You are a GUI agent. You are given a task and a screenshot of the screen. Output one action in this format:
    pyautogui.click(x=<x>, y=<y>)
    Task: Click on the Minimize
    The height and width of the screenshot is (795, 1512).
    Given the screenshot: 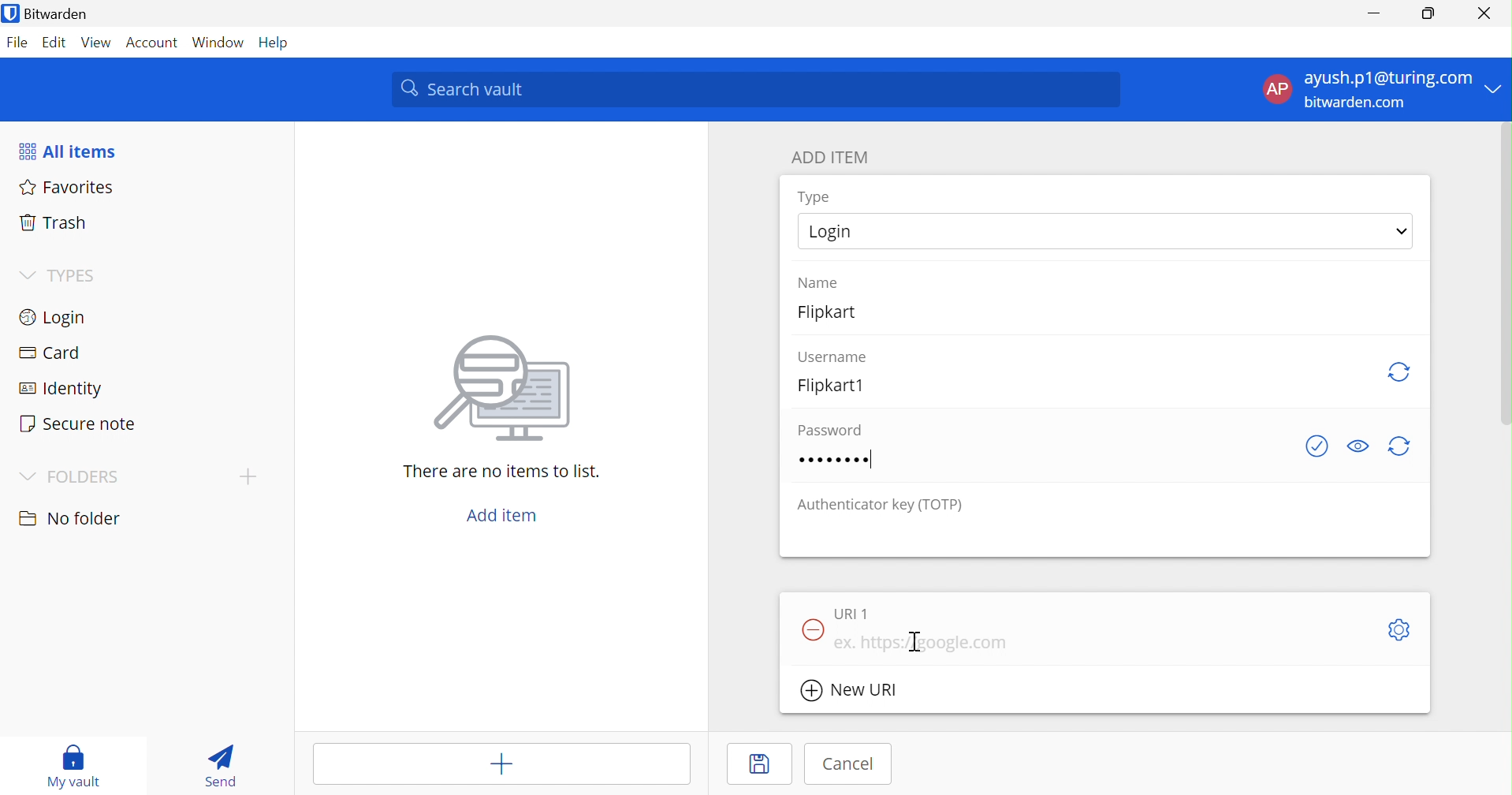 What is the action you would take?
    pyautogui.click(x=1371, y=13)
    